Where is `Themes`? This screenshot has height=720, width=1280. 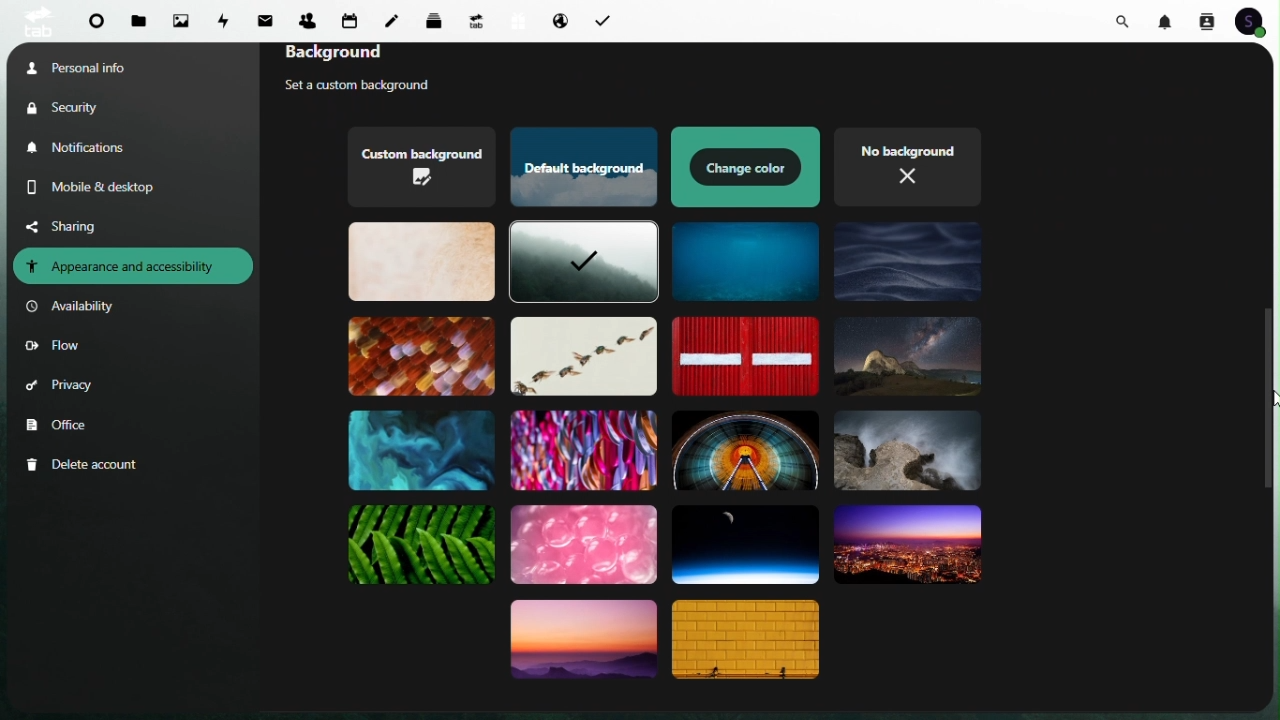
Themes is located at coordinates (581, 448).